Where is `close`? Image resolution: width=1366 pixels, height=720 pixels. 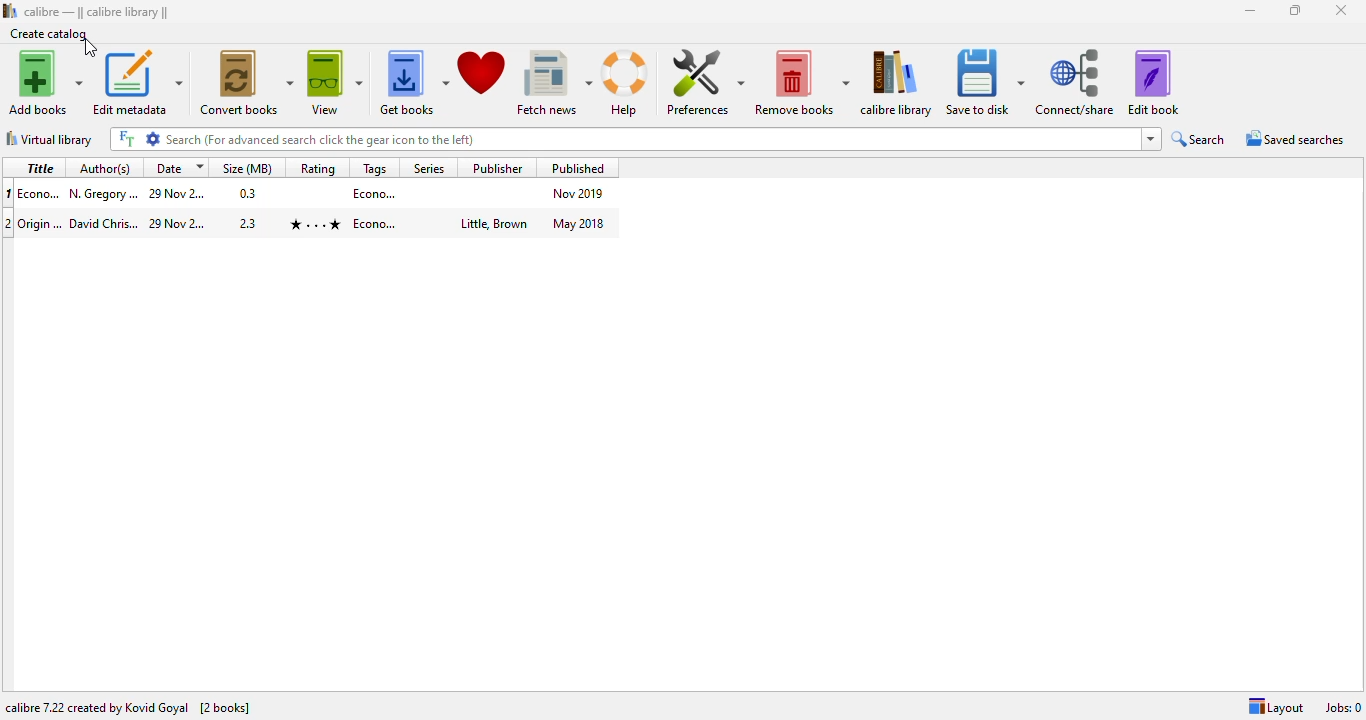
close is located at coordinates (1340, 10).